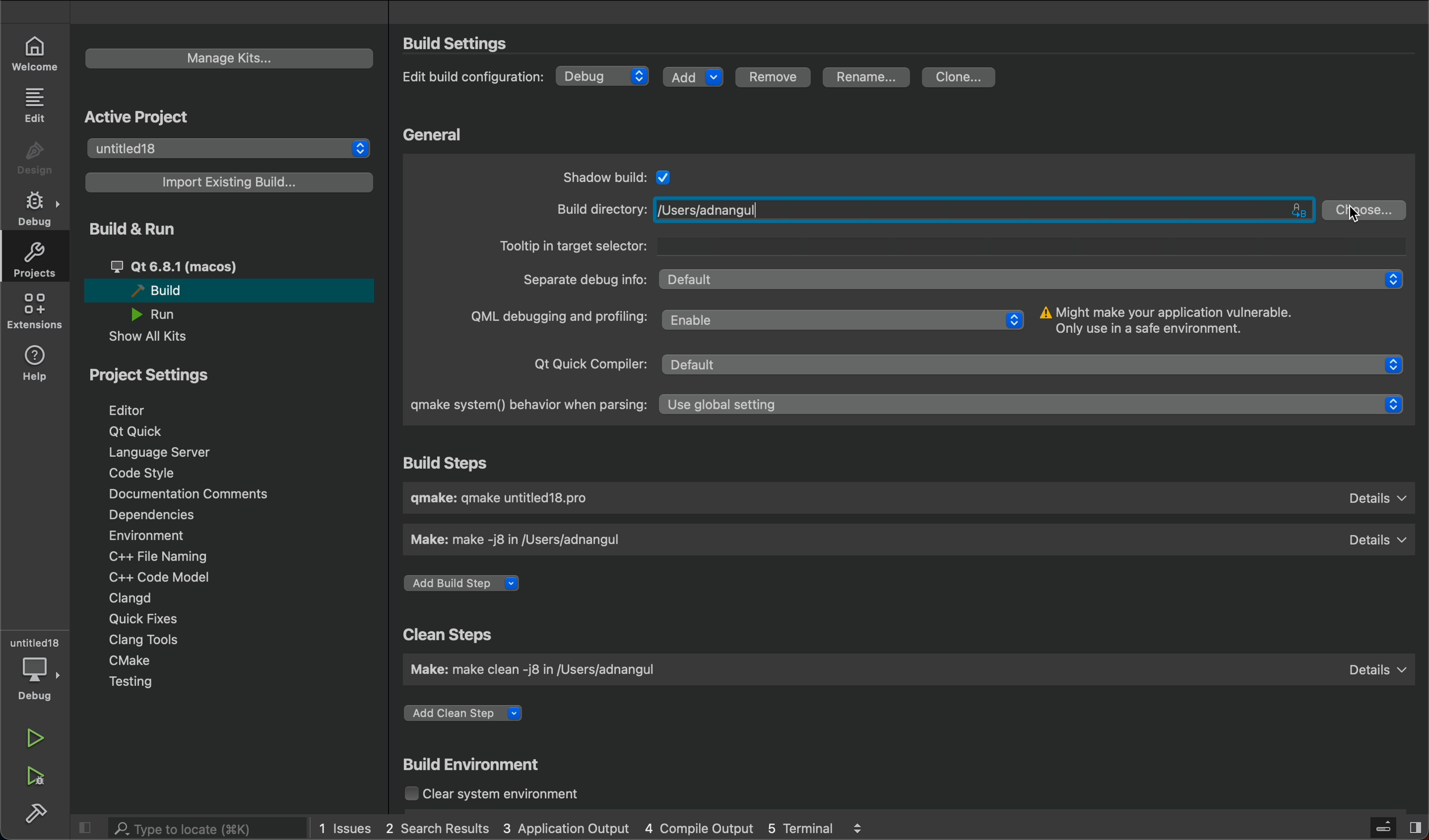 This screenshot has height=840, width=1429. I want to click on design, so click(33, 156).